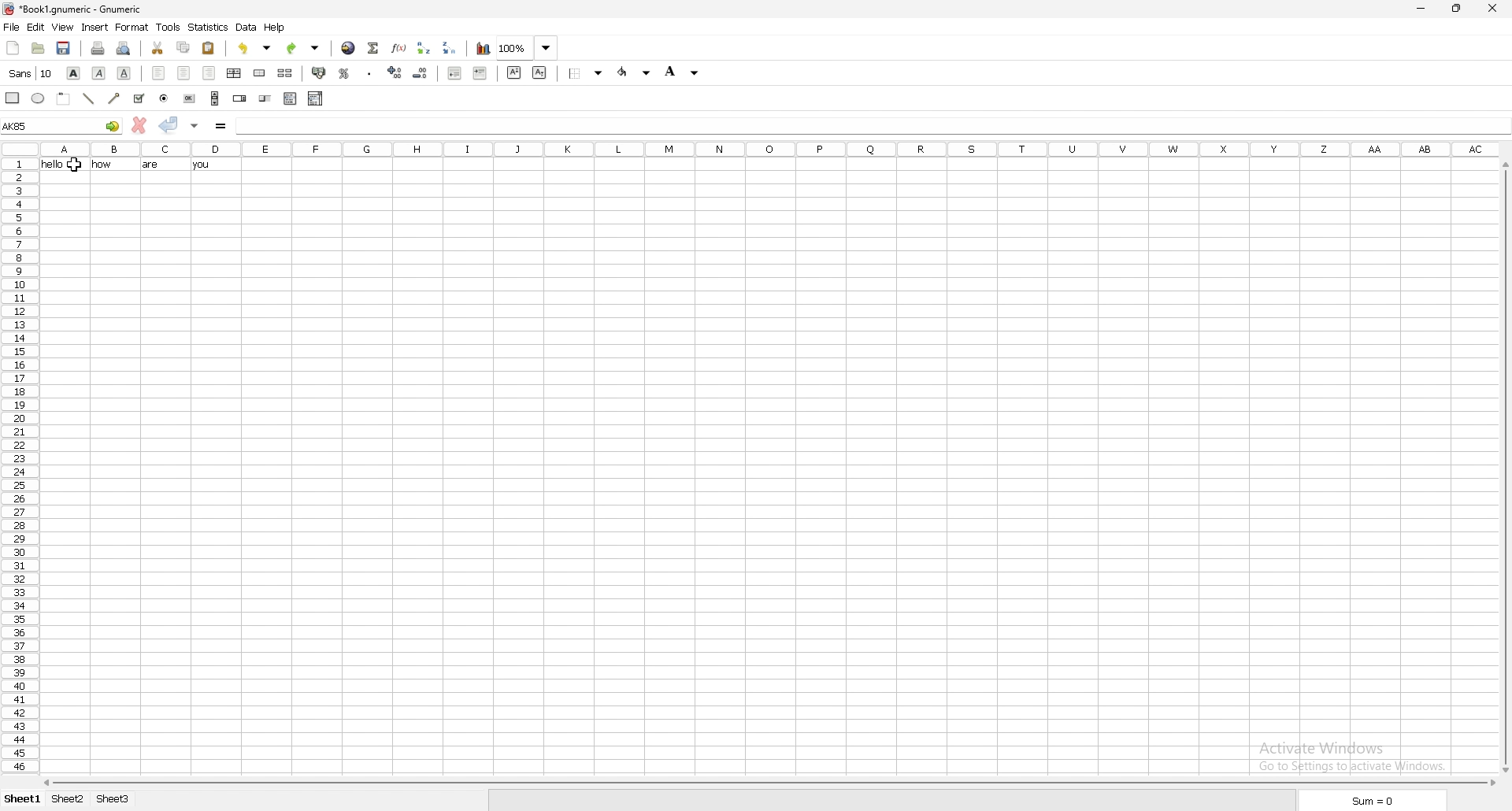 Image resolution: width=1512 pixels, height=811 pixels. Describe the element at coordinates (37, 98) in the screenshot. I see `ellipse` at that location.